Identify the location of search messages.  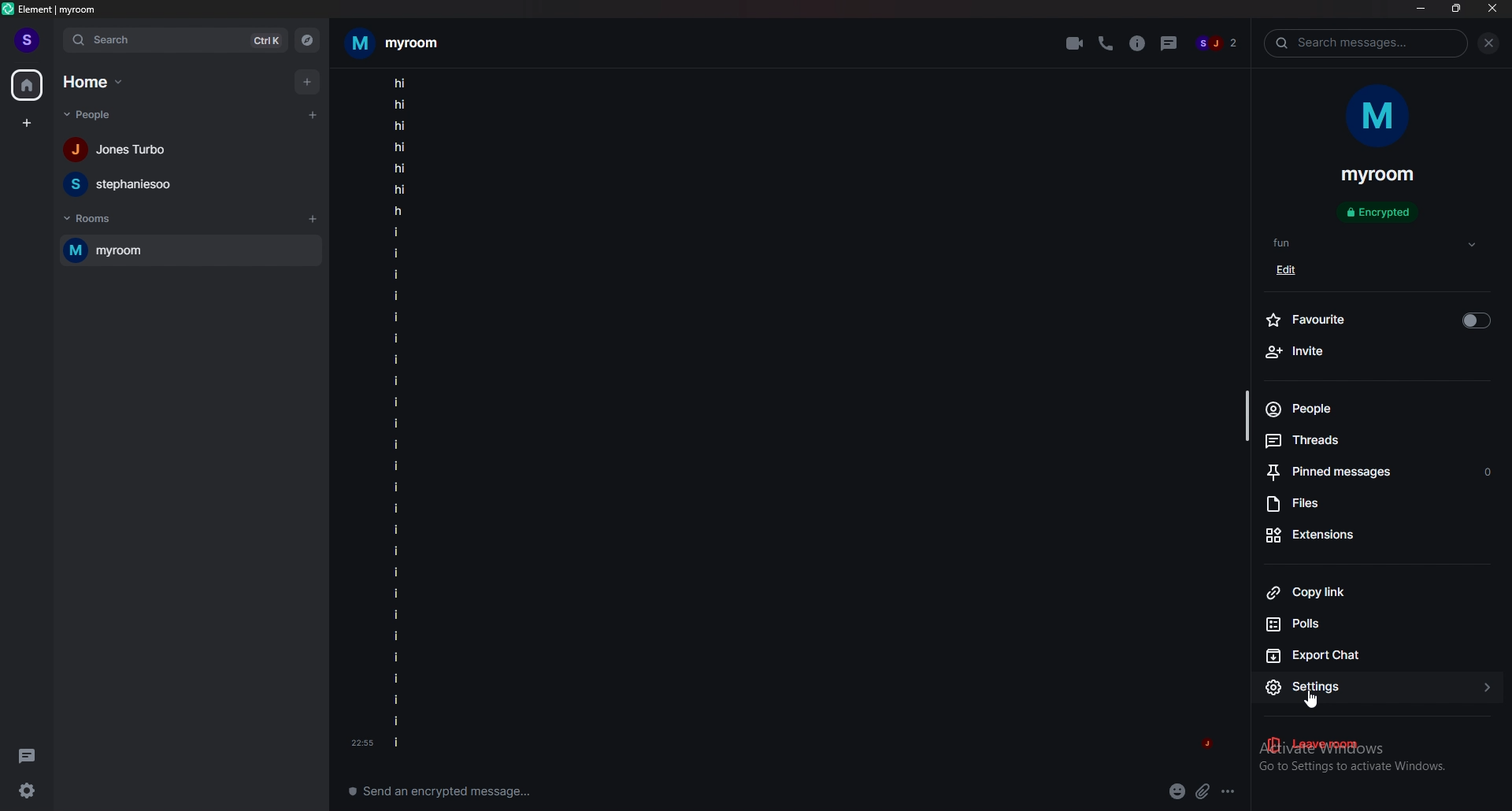
(1366, 43).